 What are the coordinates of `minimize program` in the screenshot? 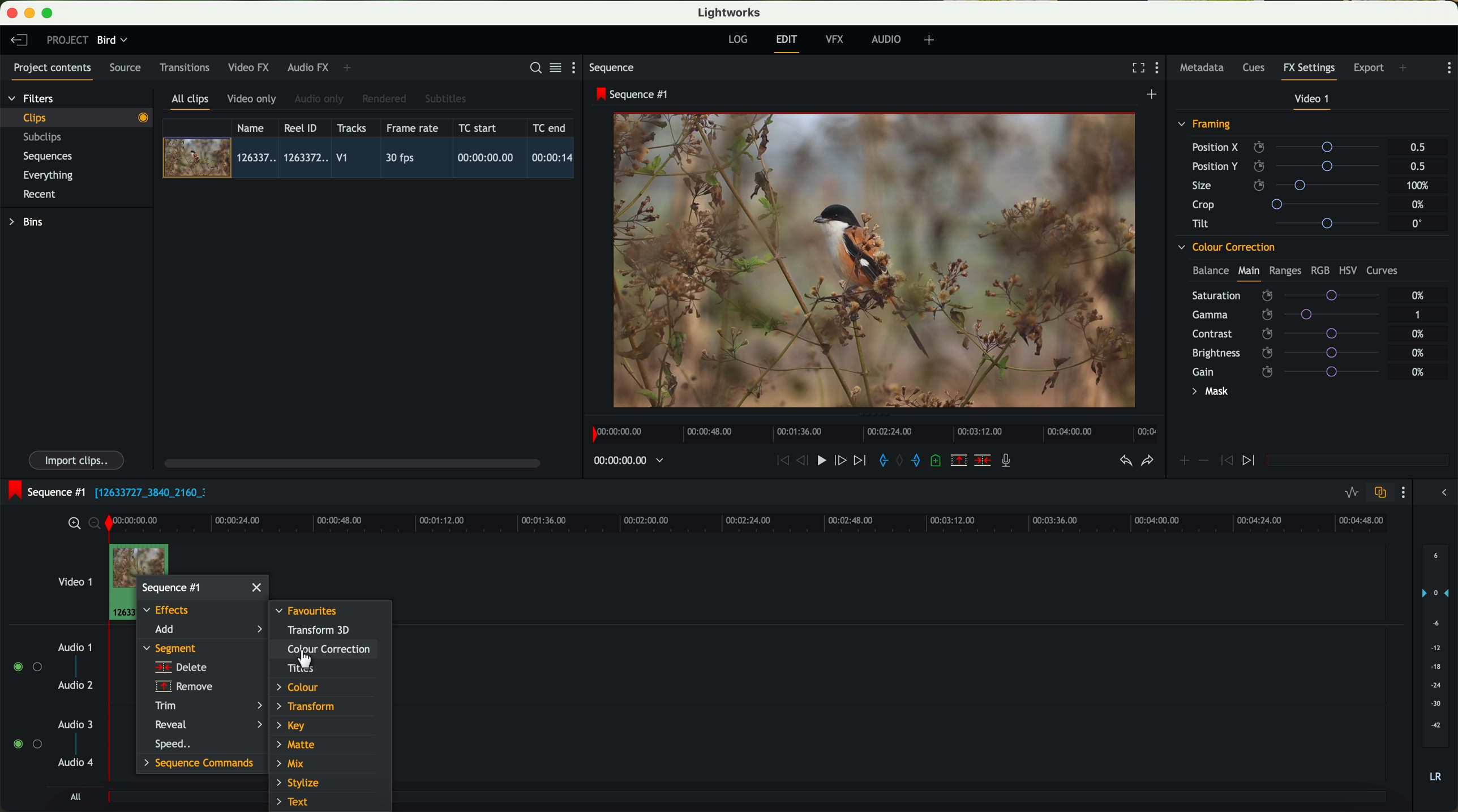 It's located at (32, 14).